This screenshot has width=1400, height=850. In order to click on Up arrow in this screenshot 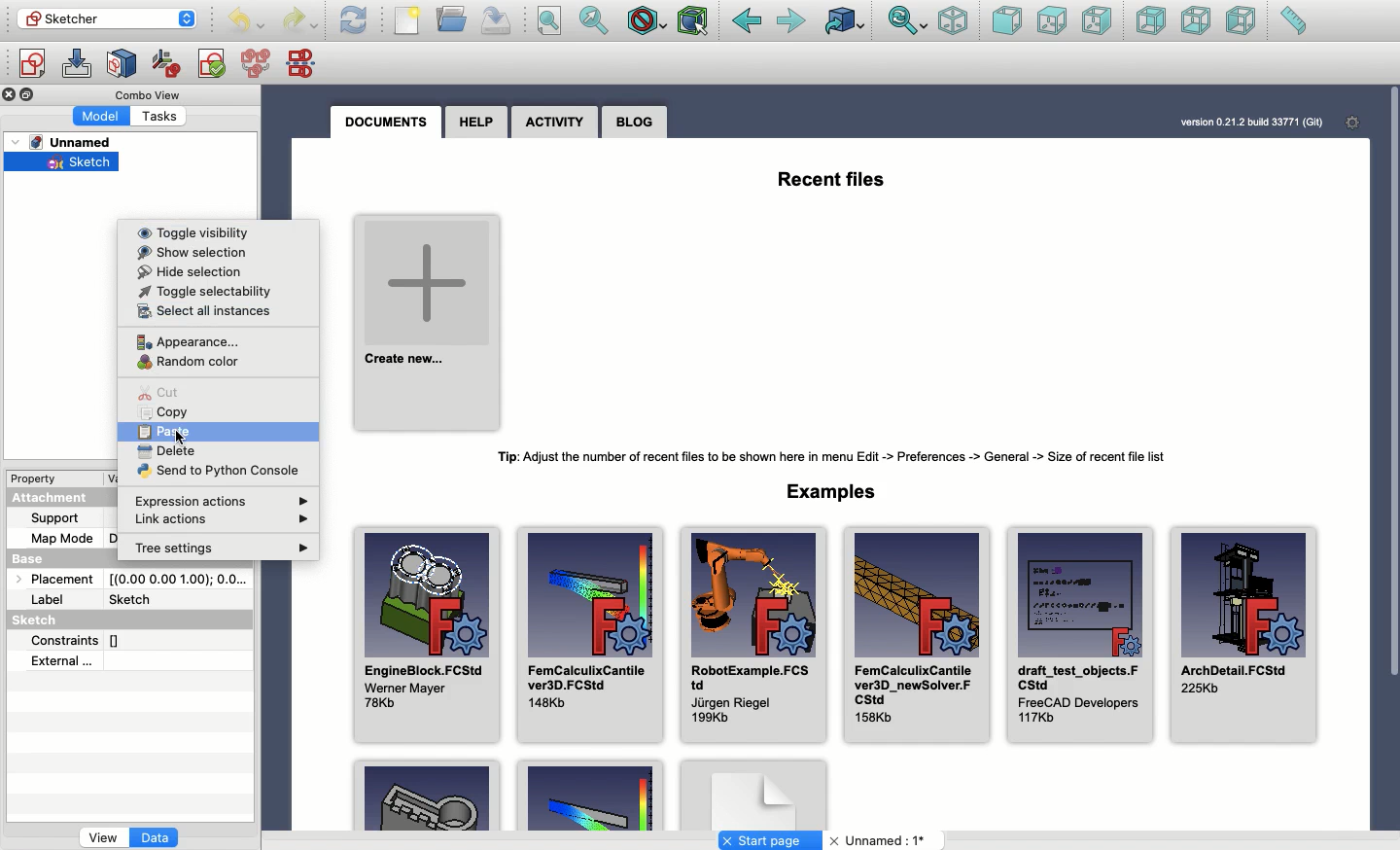, I will do `click(192, 10)`.